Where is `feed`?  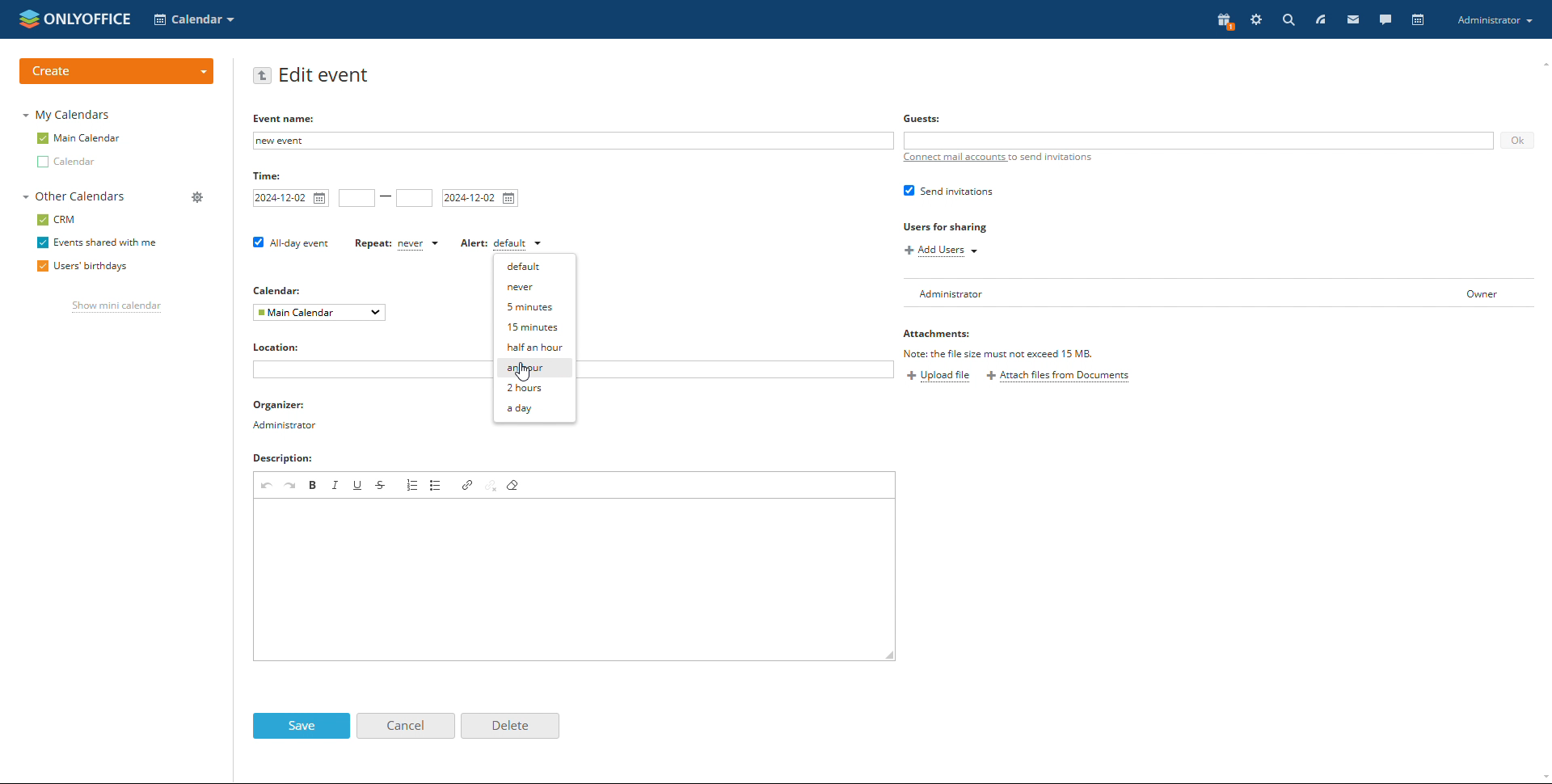
feed is located at coordinates (1321, 21).